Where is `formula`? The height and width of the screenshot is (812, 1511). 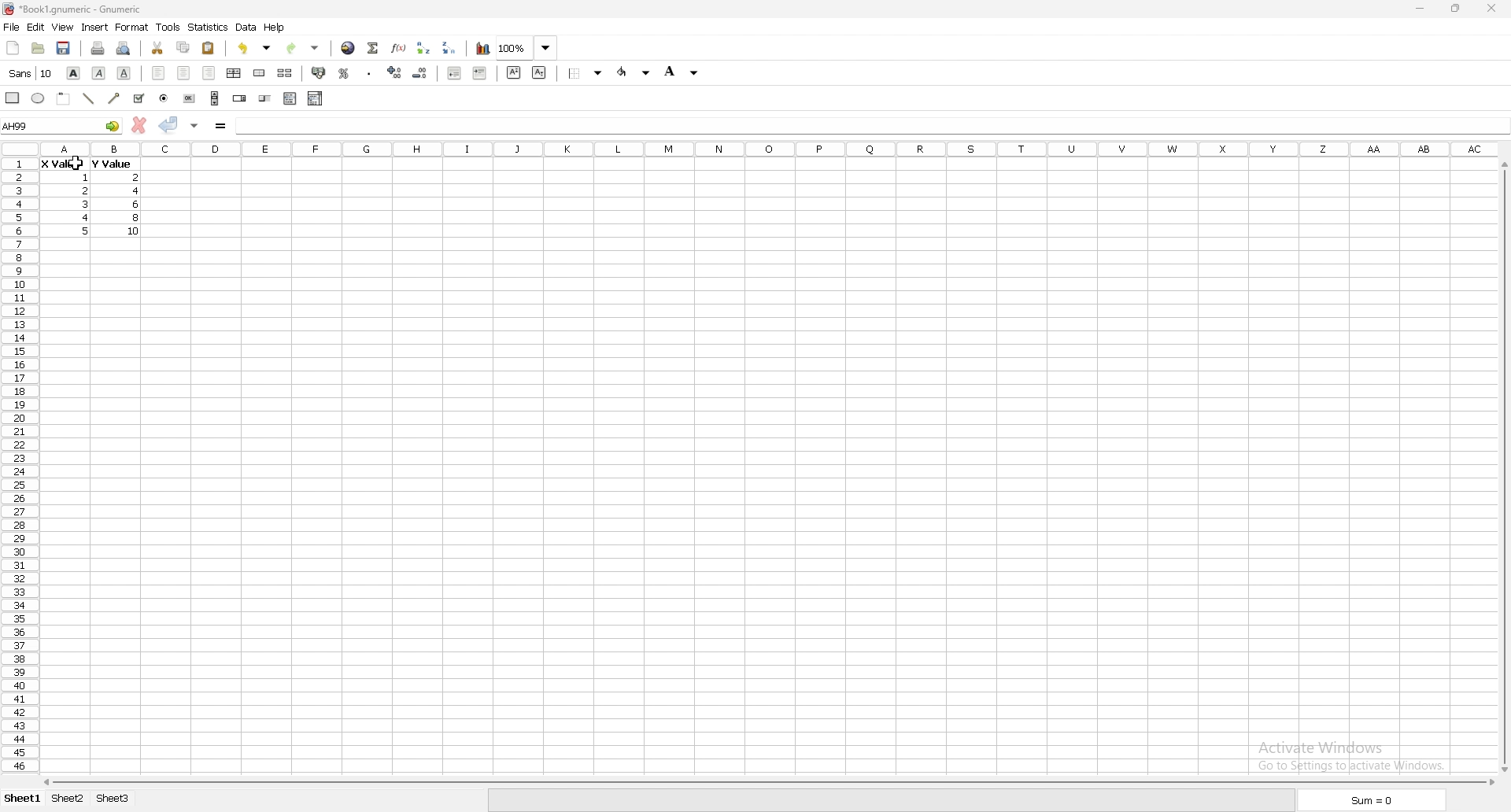 formula is located at coordinates (222, 125).